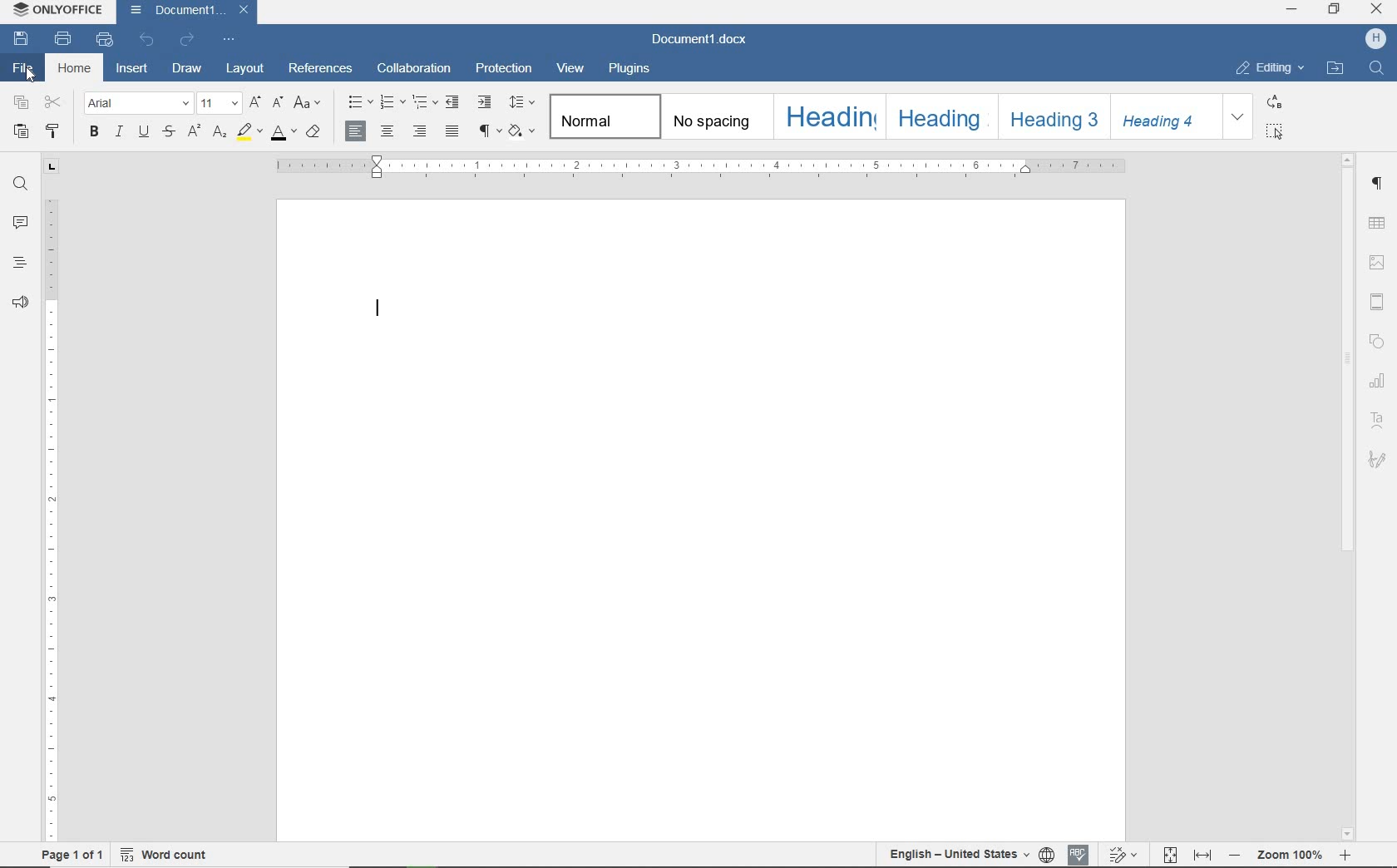 This screenshot has width=1397, height=868. I want to click on font color, so click(285, 135).